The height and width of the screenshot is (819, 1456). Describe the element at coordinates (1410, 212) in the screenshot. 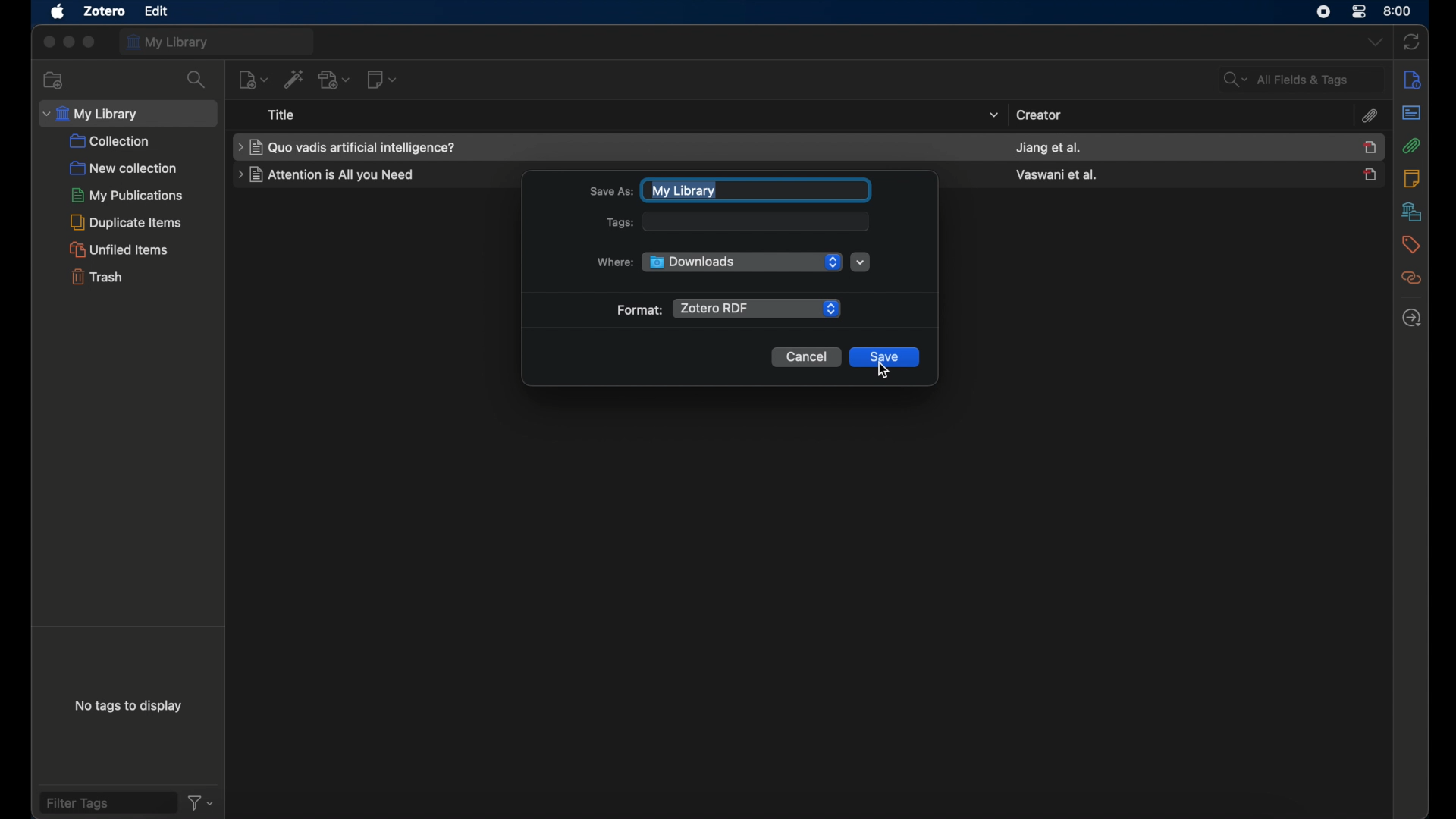

I see `libraries and collections` at that location.